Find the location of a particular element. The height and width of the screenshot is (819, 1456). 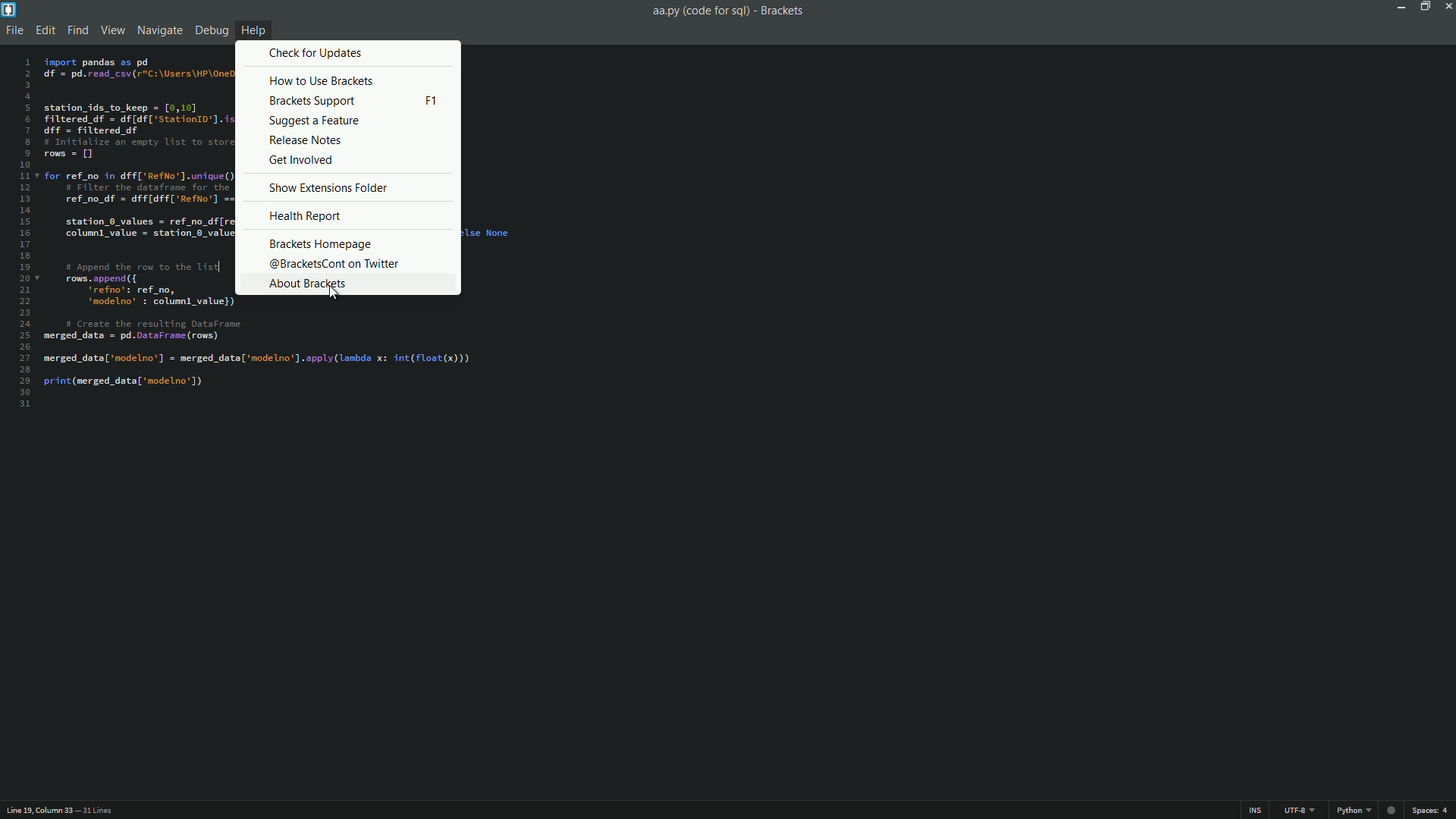

number of lines is located at coordinates (99, 811).